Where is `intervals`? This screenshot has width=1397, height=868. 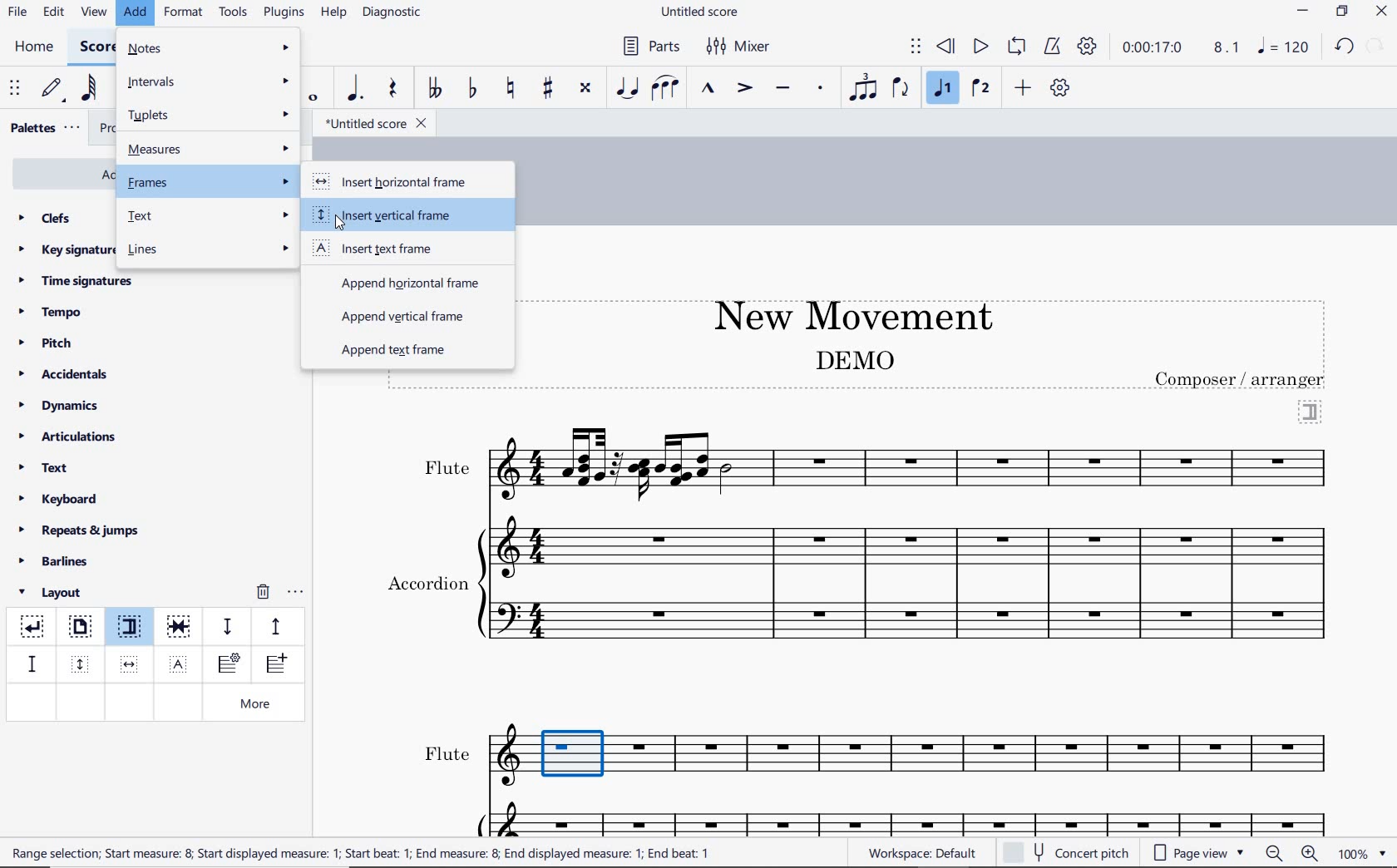
intervals is located at coordinates (210, 83).